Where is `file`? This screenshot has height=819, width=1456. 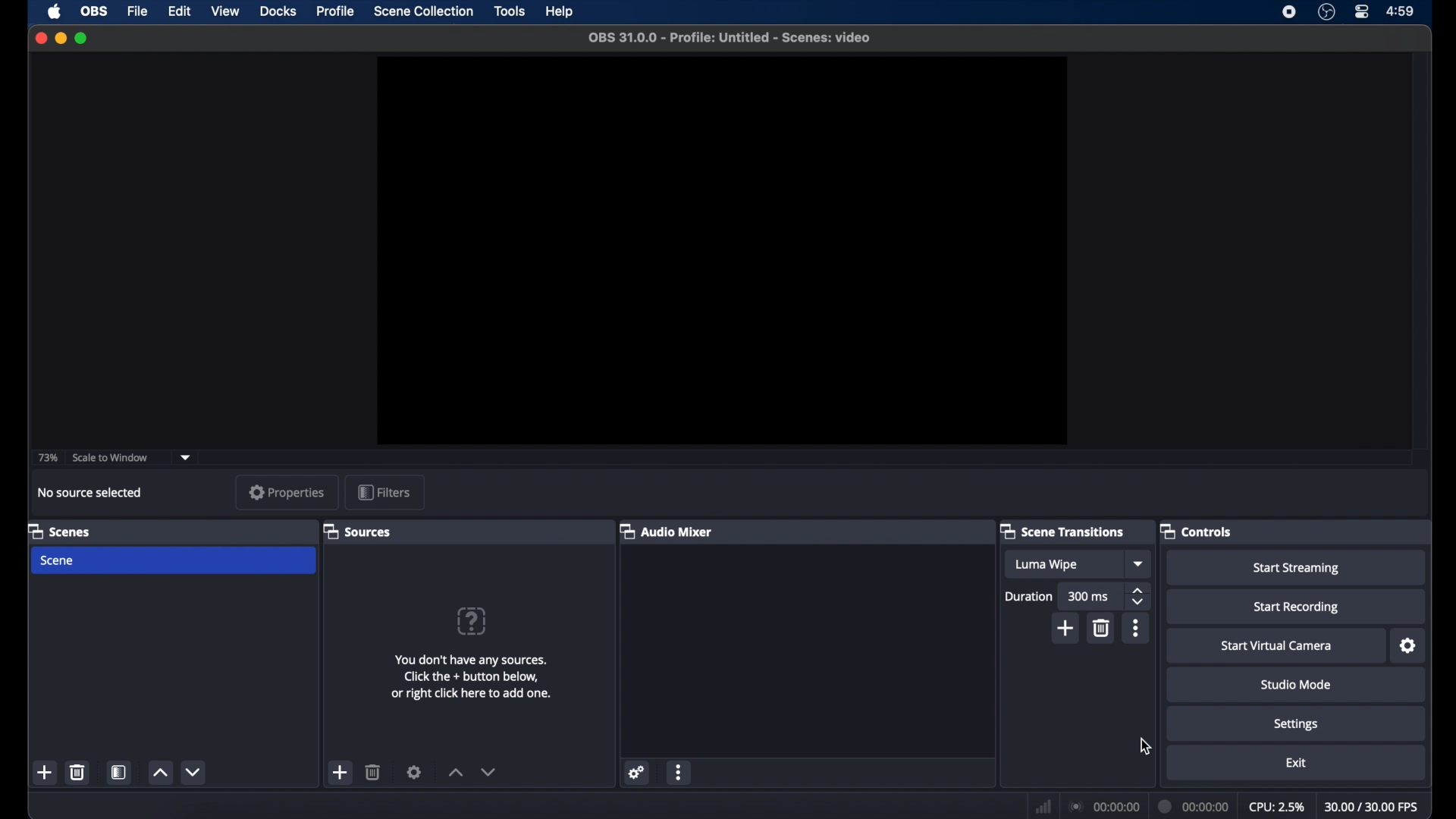
file is located at coordinates (140, 11).